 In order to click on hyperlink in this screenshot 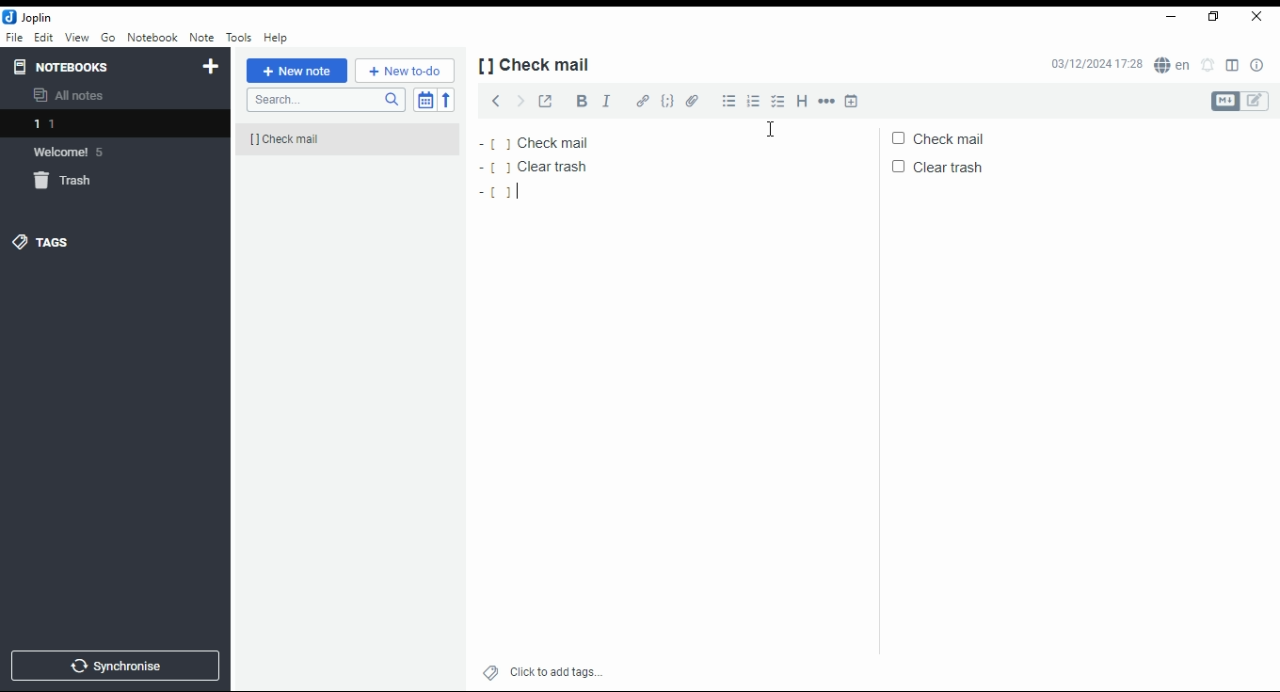, I will do `click(642, 101)`.